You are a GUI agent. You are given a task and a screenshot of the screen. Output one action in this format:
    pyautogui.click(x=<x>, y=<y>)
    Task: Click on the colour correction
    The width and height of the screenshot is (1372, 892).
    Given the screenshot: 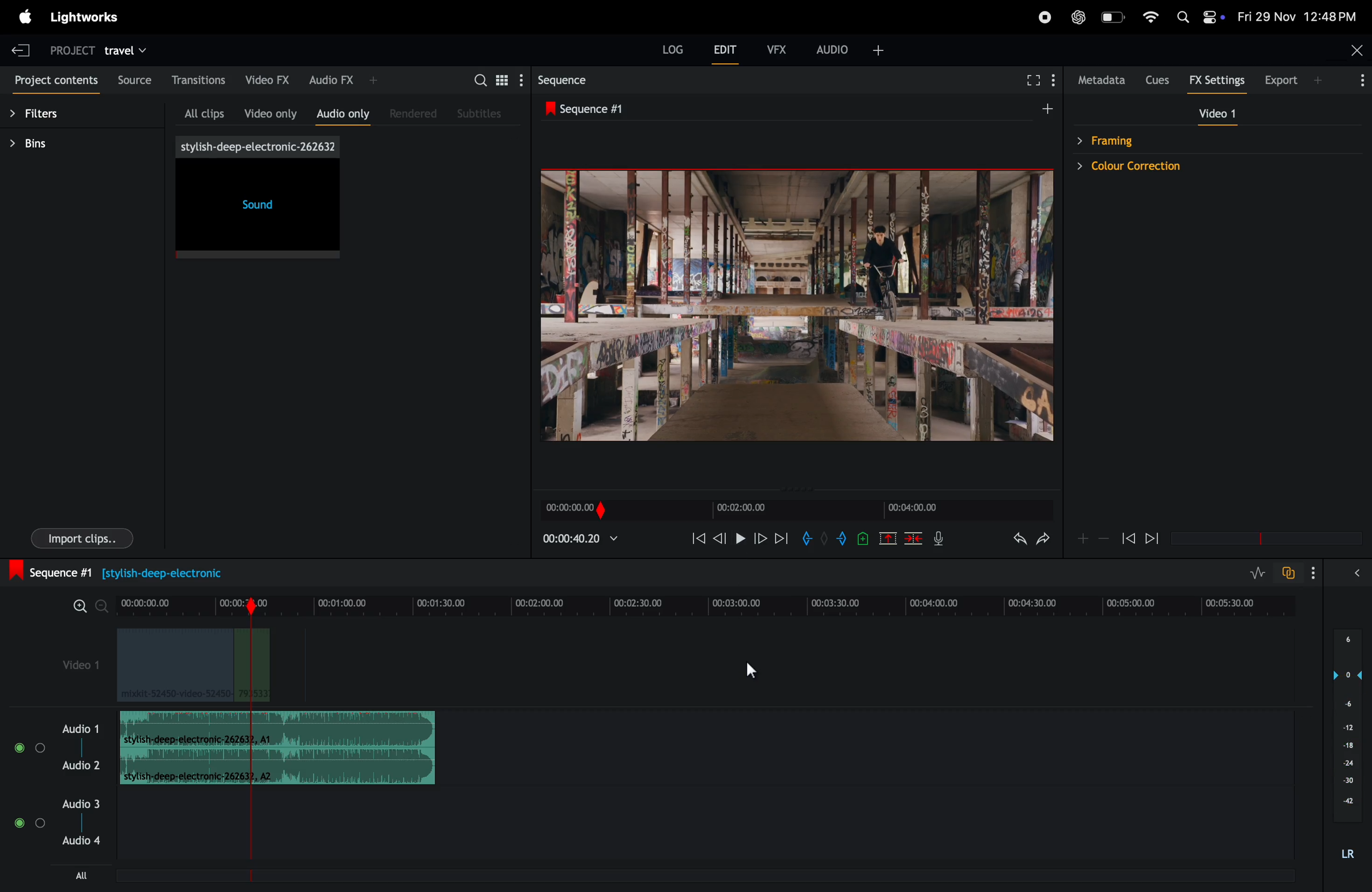 What is the action you would take?
    pyautogui.click(x=1155, y=165)
    